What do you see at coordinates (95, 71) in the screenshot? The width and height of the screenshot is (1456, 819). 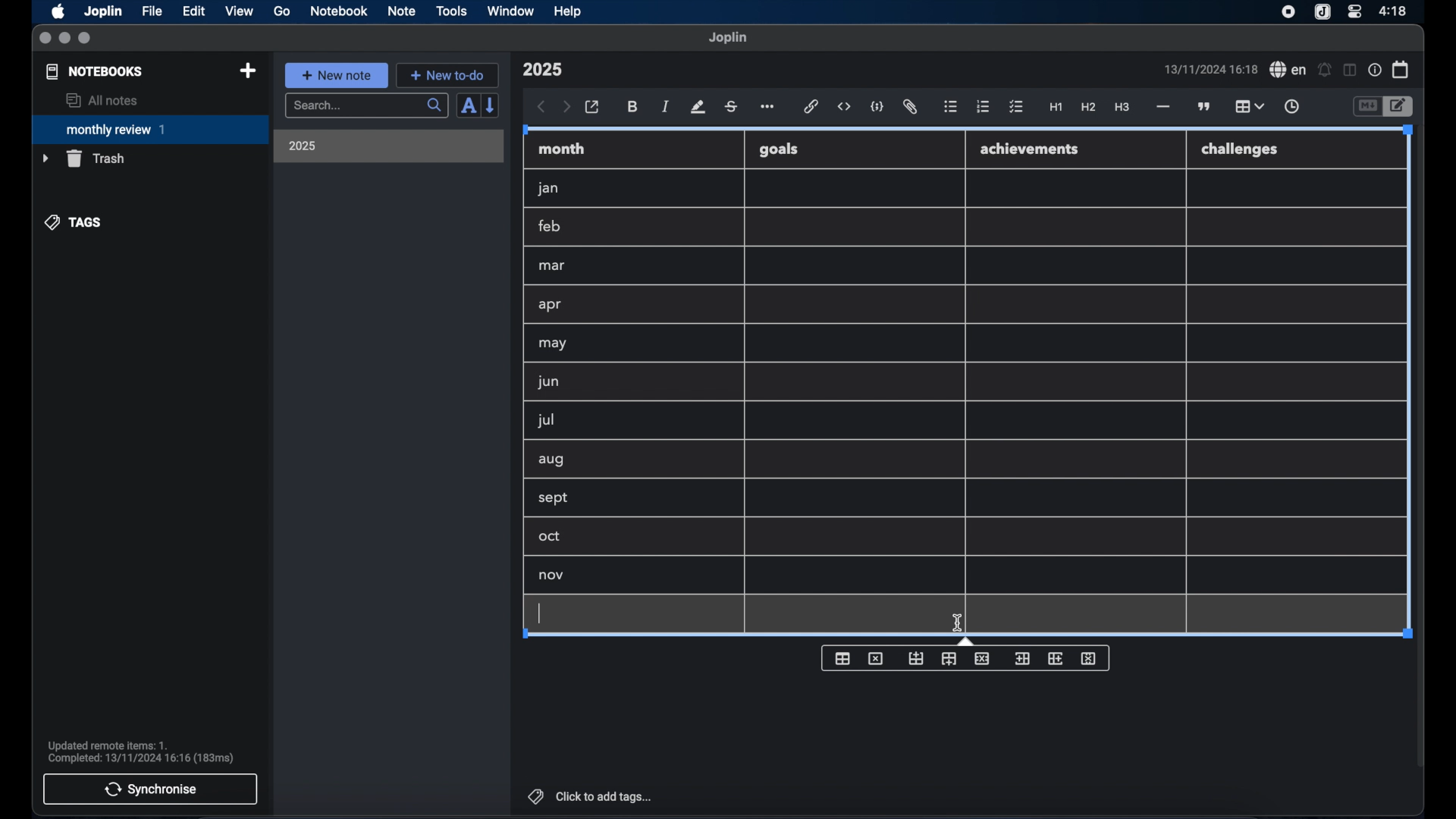 I see `notebooks` at bounding box center [95, 71].